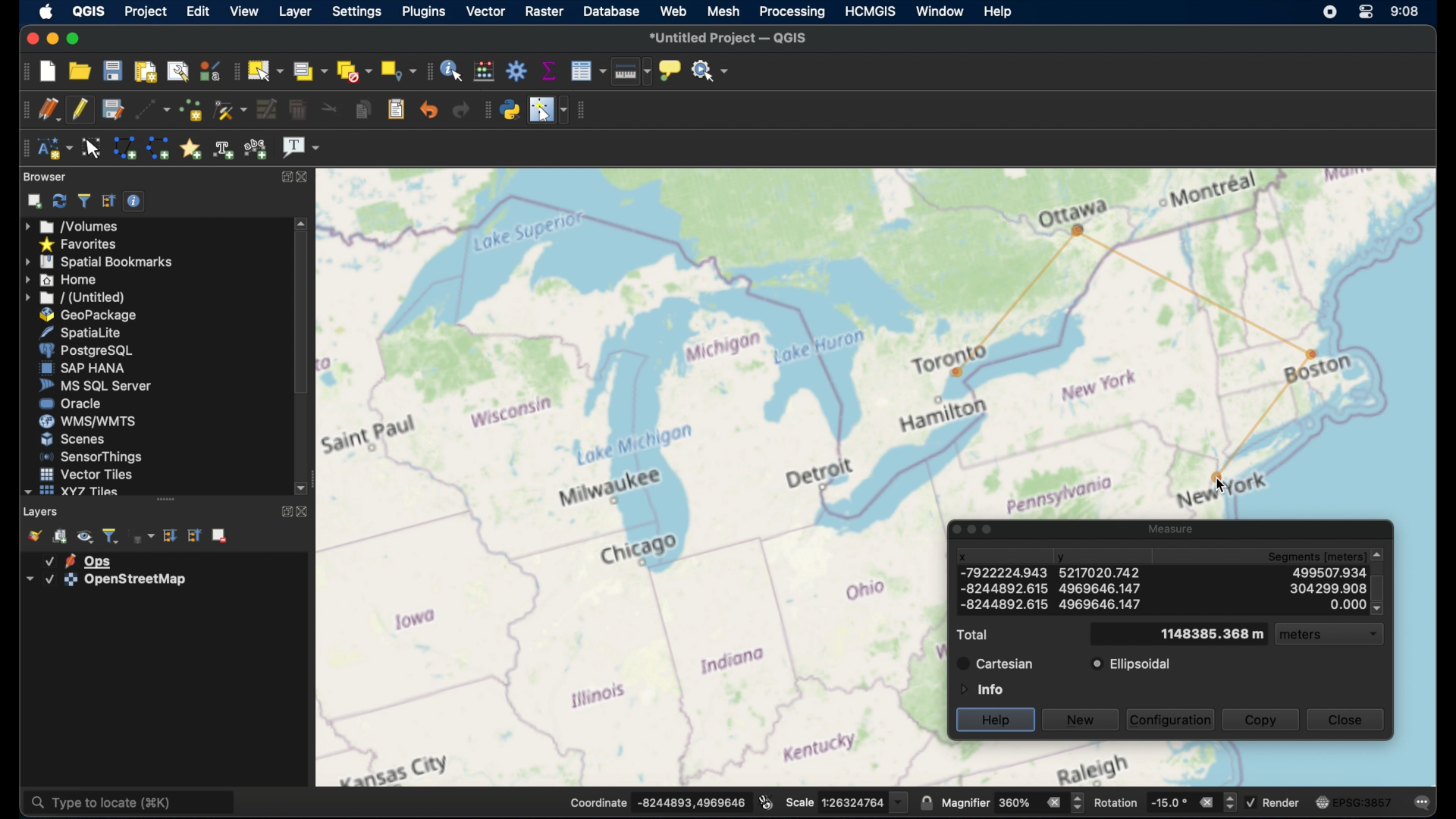  I want to click on untitles project QGIS, so click(731, 39).